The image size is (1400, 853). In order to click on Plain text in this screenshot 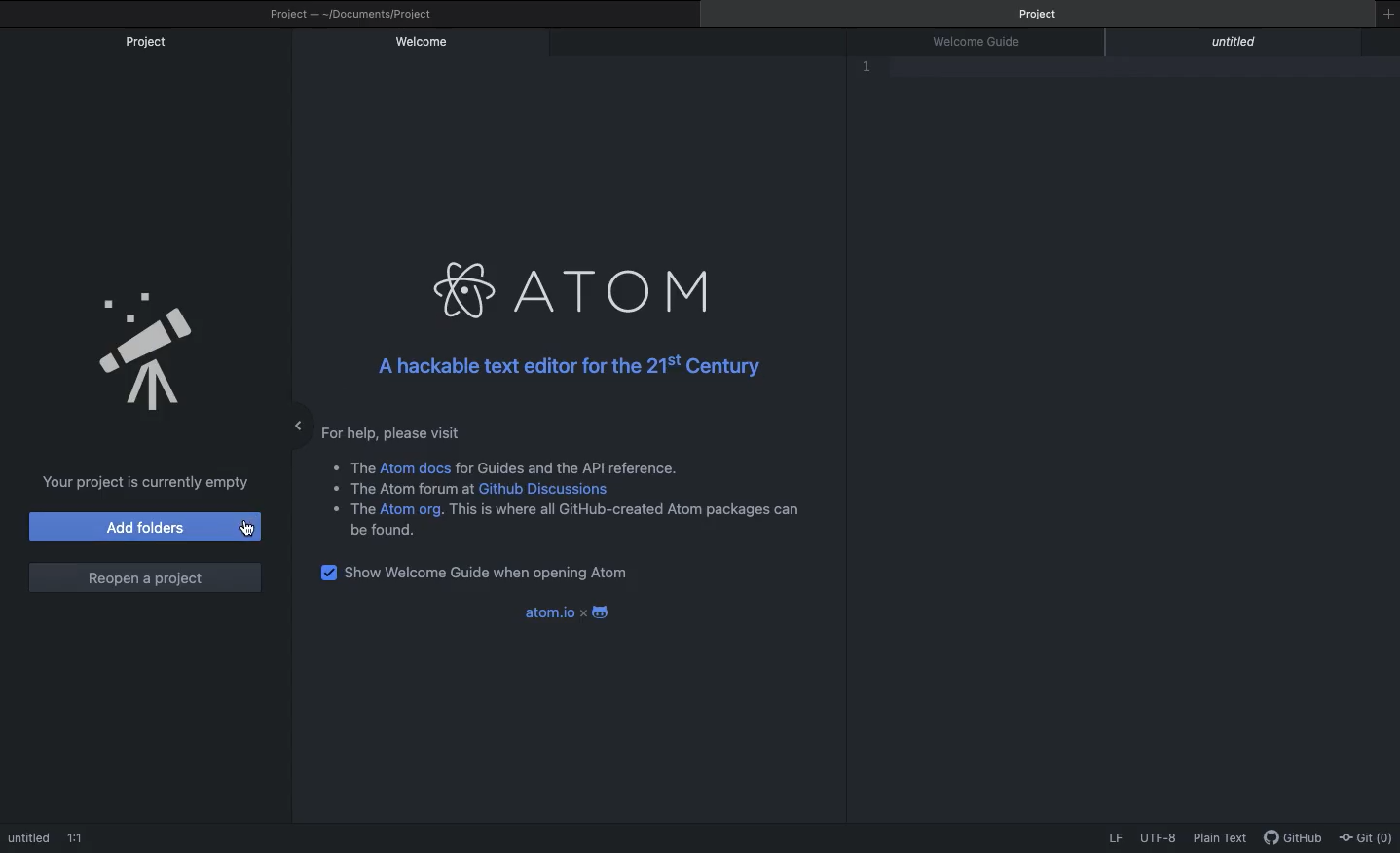, I will do `click(1224, 839)`.